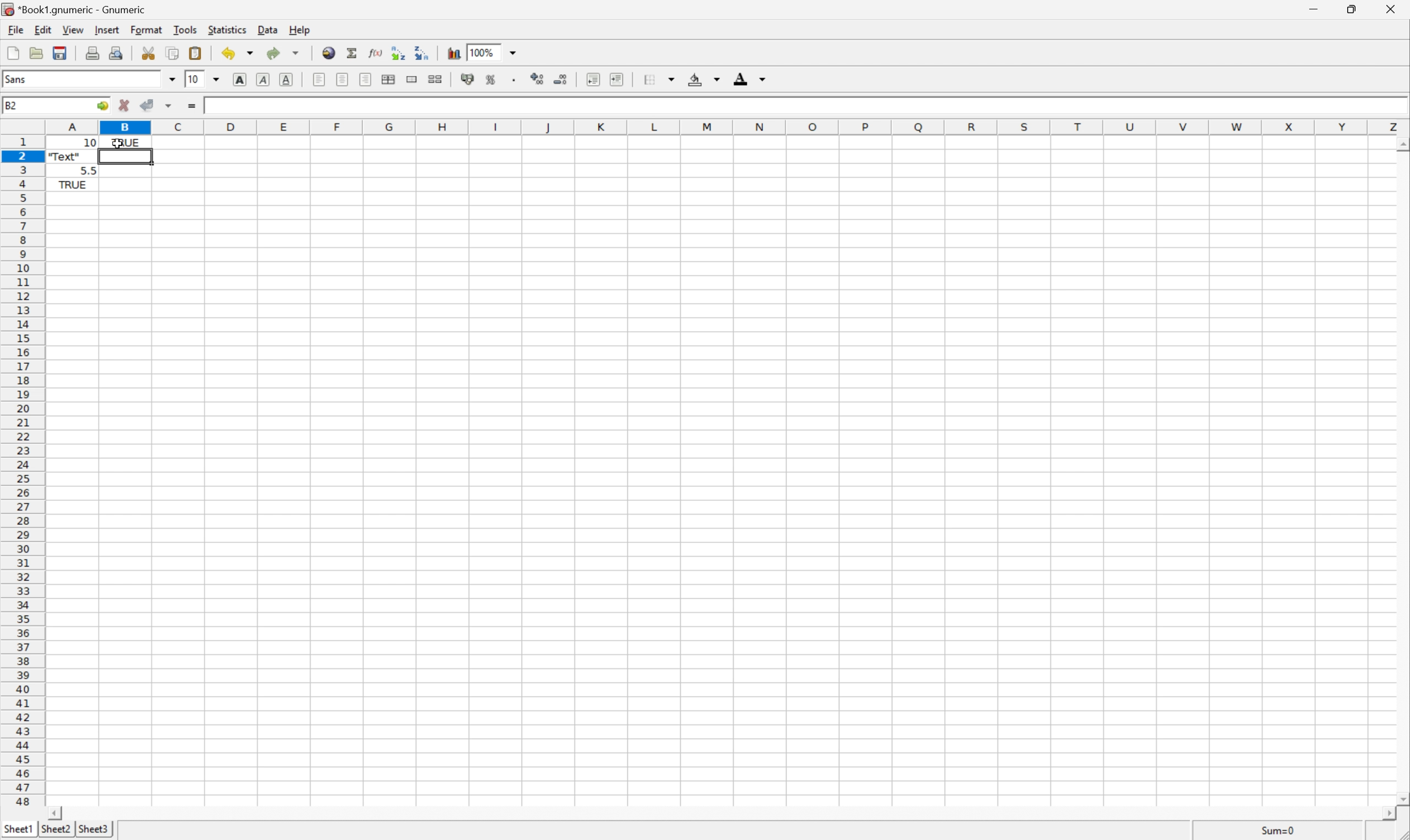 The width and height of the screenshot is (1410, 840). What do you see at coordinates (399, 53) in the screenshot?
I see `Sort the selected region in descending order based on the first column selected` at bounding box center [399, 53].